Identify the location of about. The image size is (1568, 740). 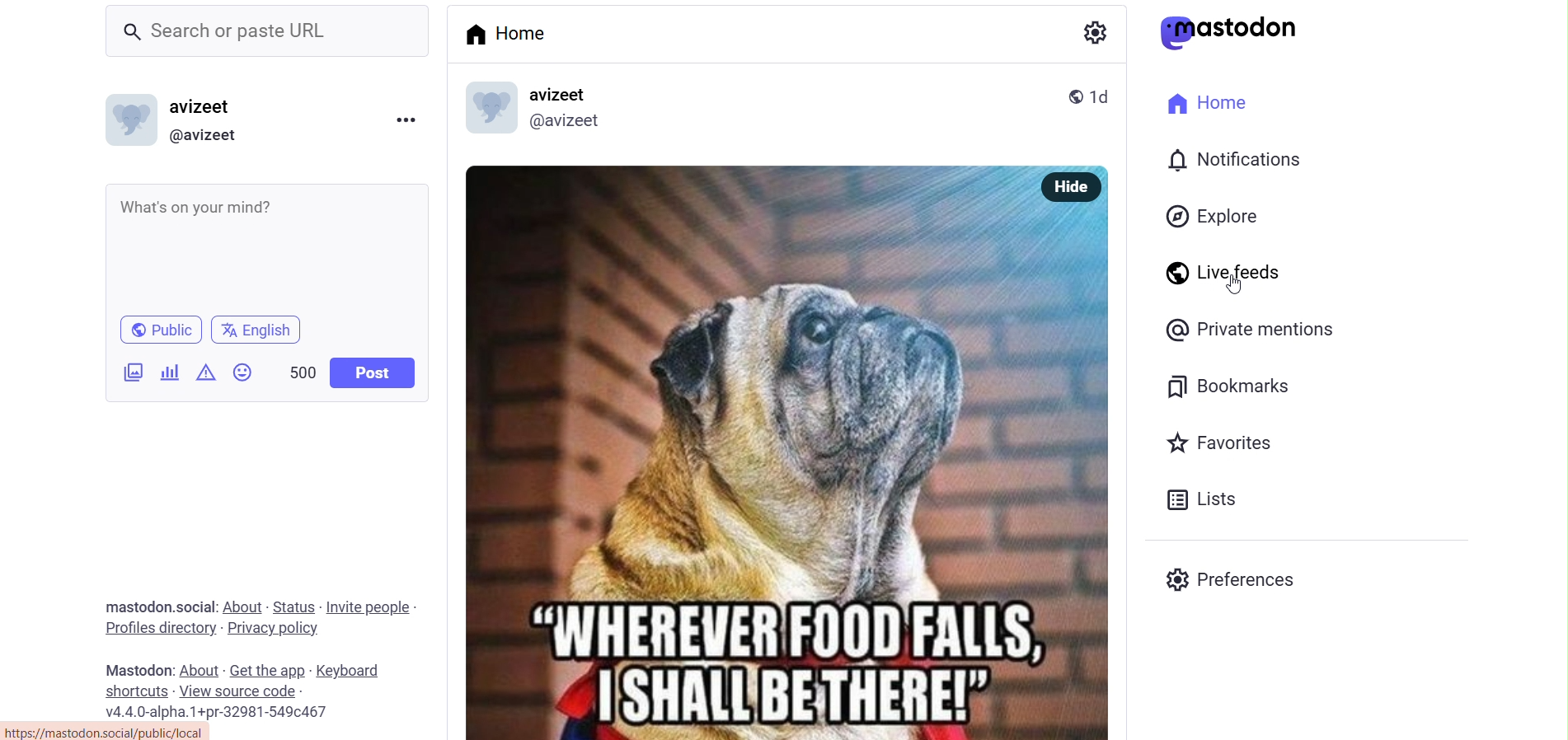
(241, 606).